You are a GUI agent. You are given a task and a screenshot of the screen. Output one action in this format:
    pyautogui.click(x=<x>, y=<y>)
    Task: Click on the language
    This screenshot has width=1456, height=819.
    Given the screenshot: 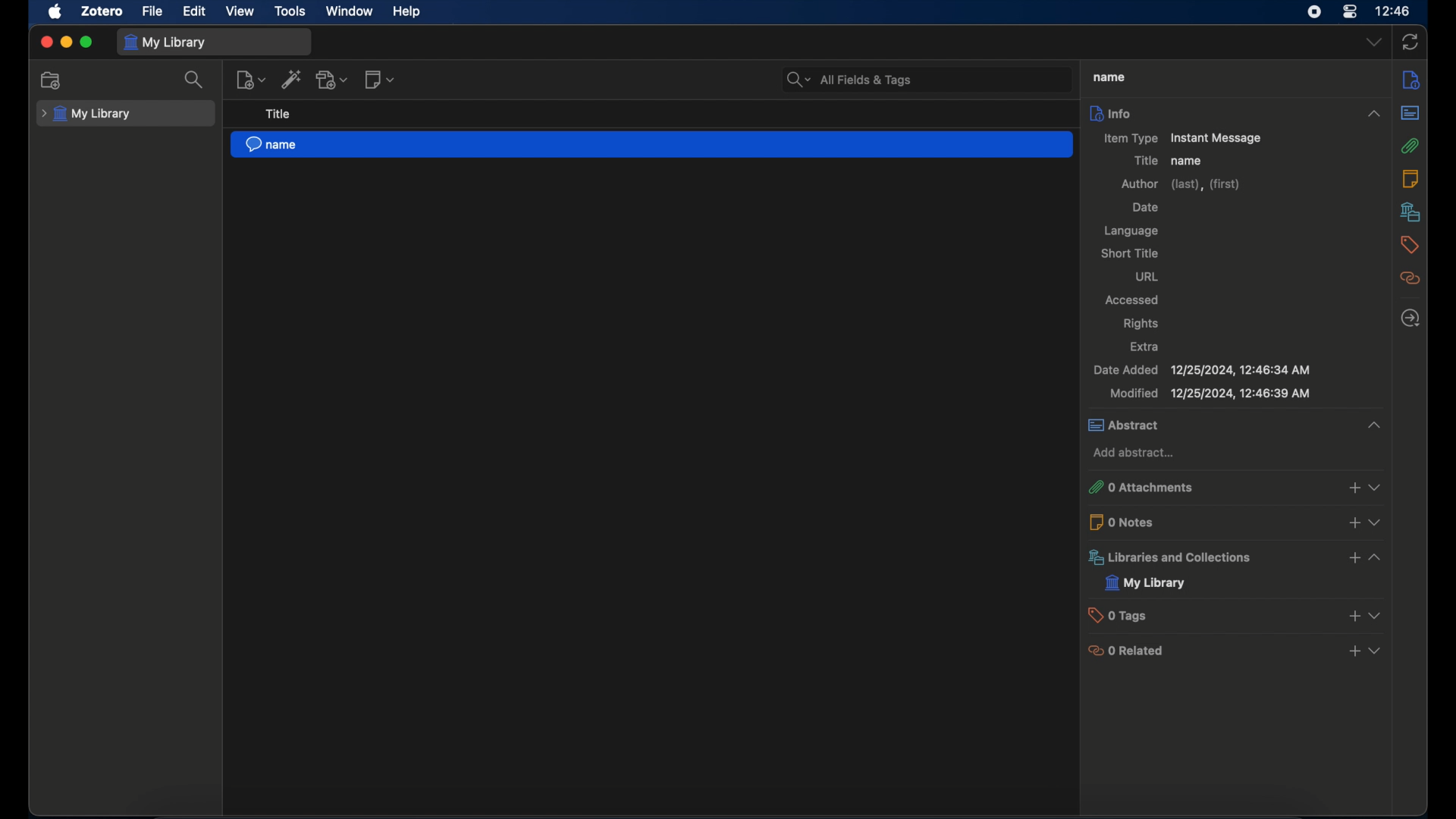 What is the action you would take?
    pyautogui.click(x=1132, y=231)
    